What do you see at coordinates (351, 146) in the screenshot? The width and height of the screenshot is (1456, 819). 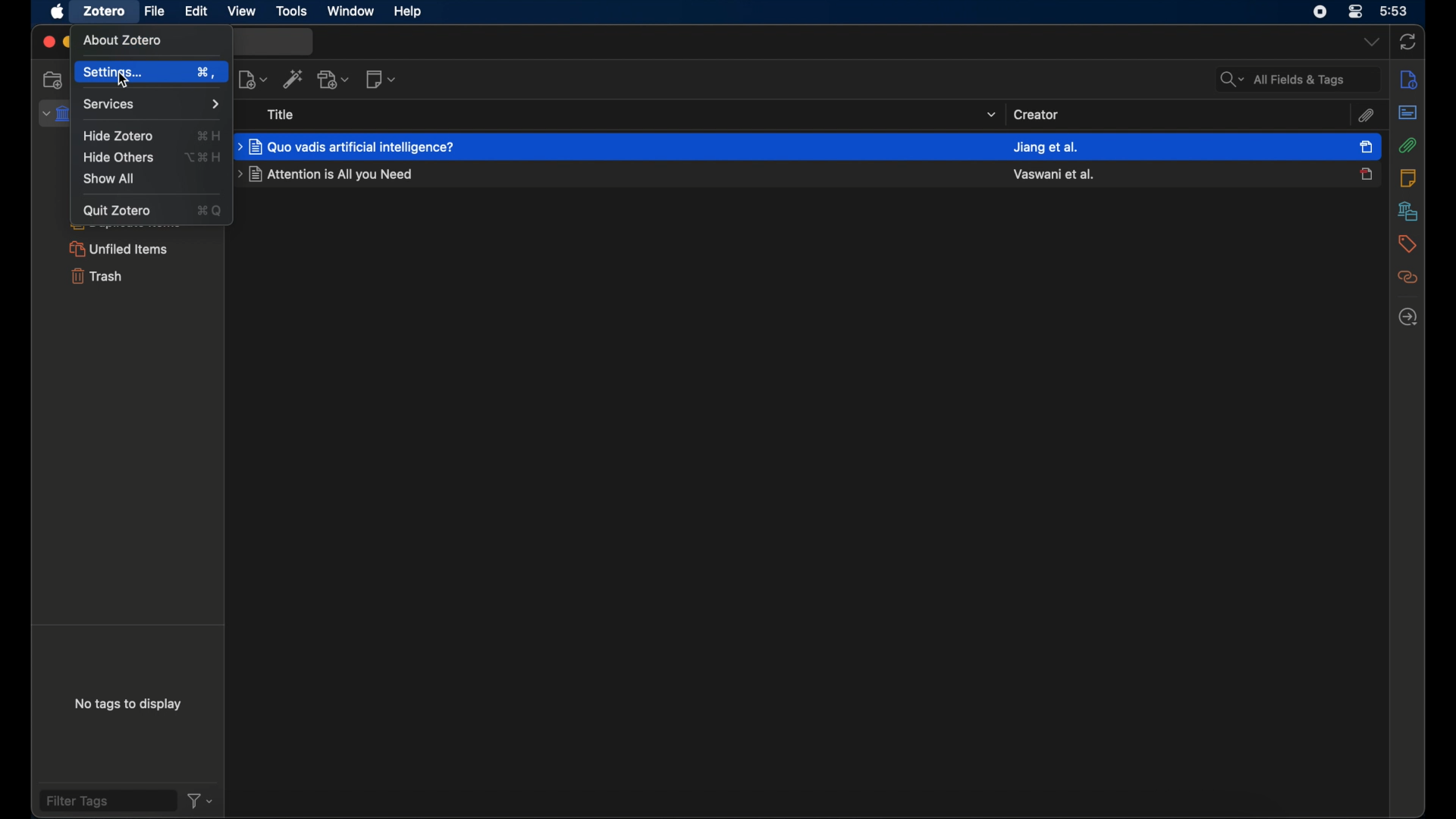 I see `journal title` at bounding box center [351, 146].